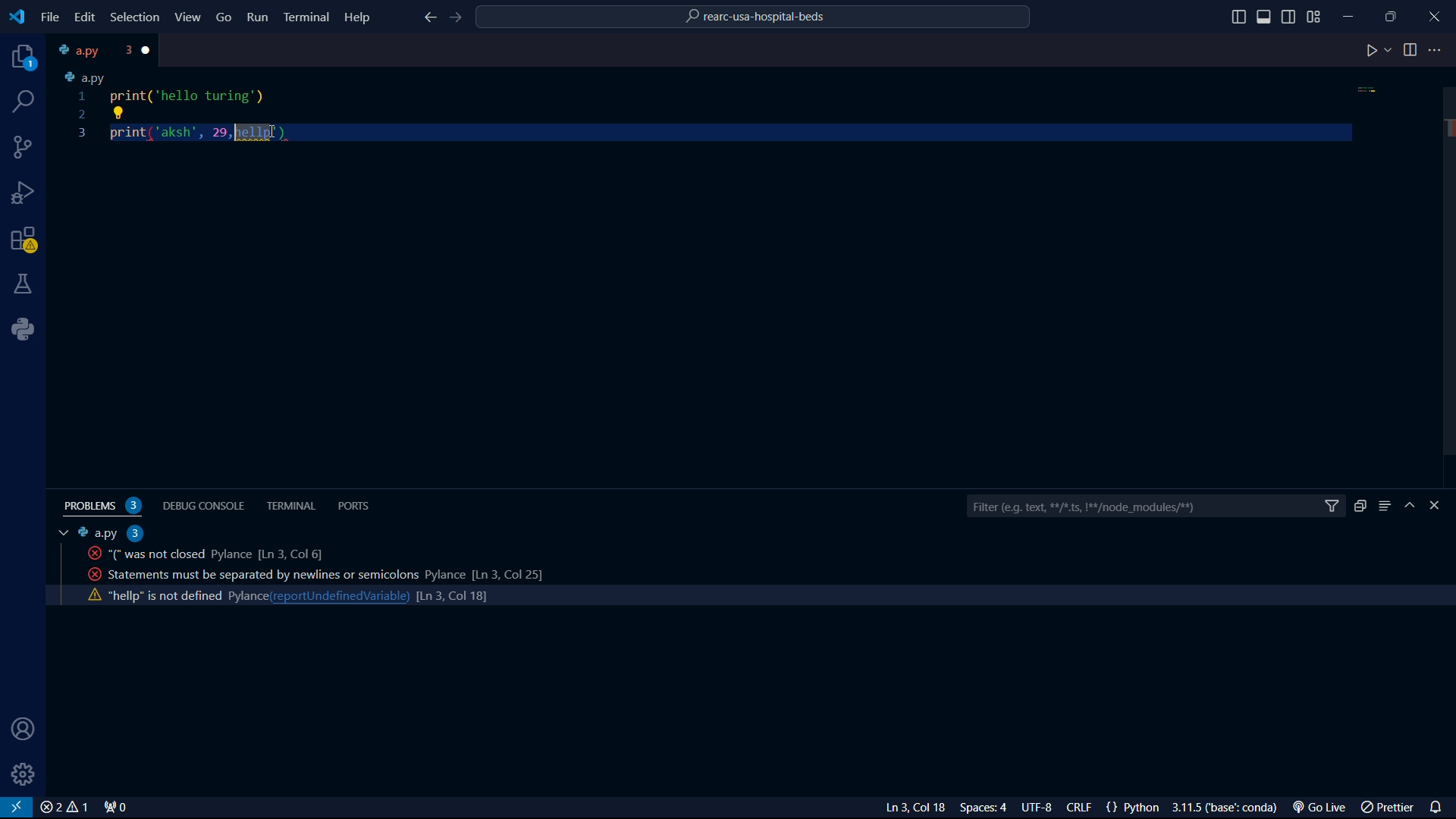 Image resolution: width=1456 pixels, height=819 pixels. I want to click on tab, so click(92, 50).